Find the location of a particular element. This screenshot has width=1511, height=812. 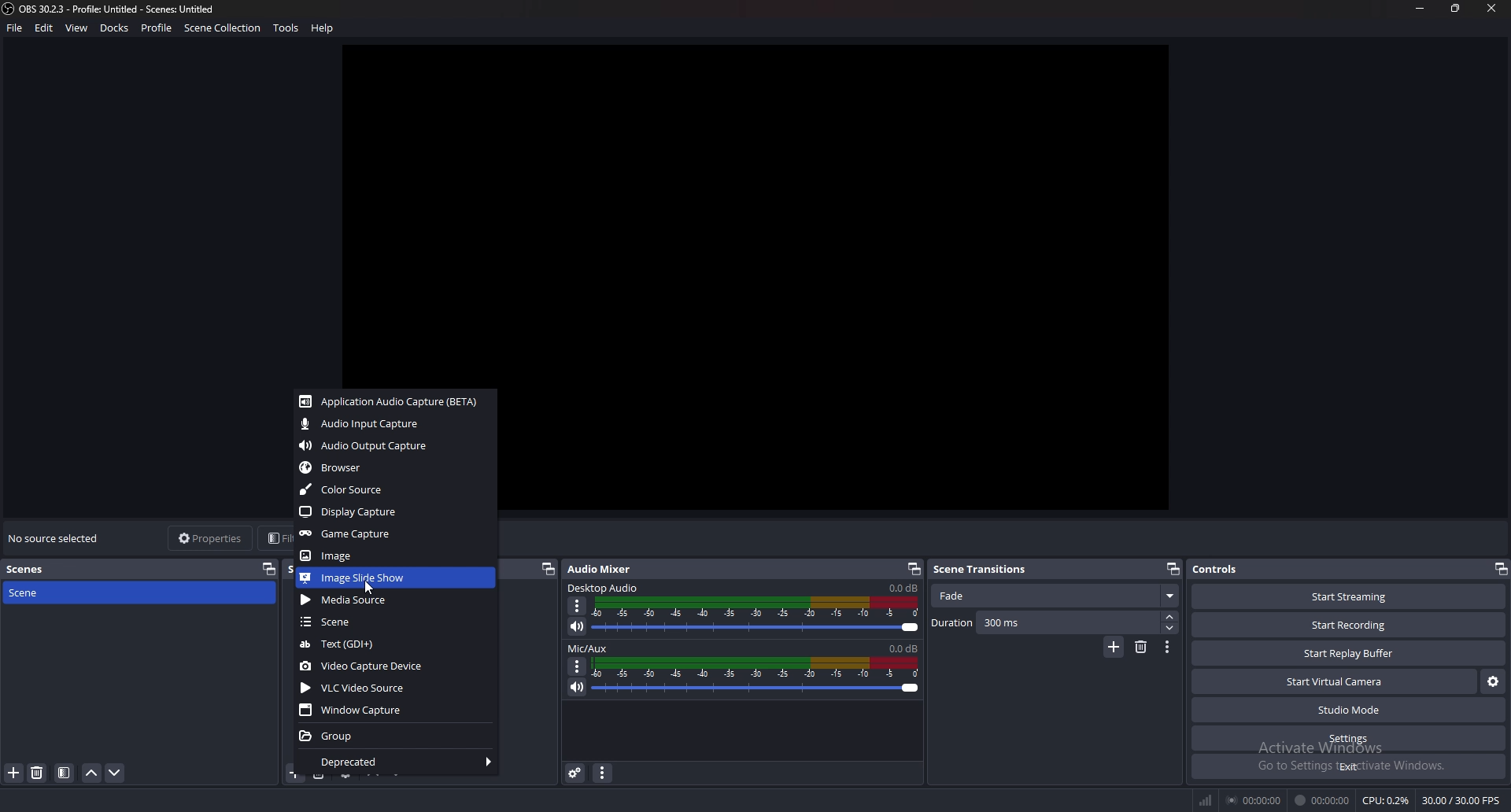

pop out is located at coordinates (1500, 569).